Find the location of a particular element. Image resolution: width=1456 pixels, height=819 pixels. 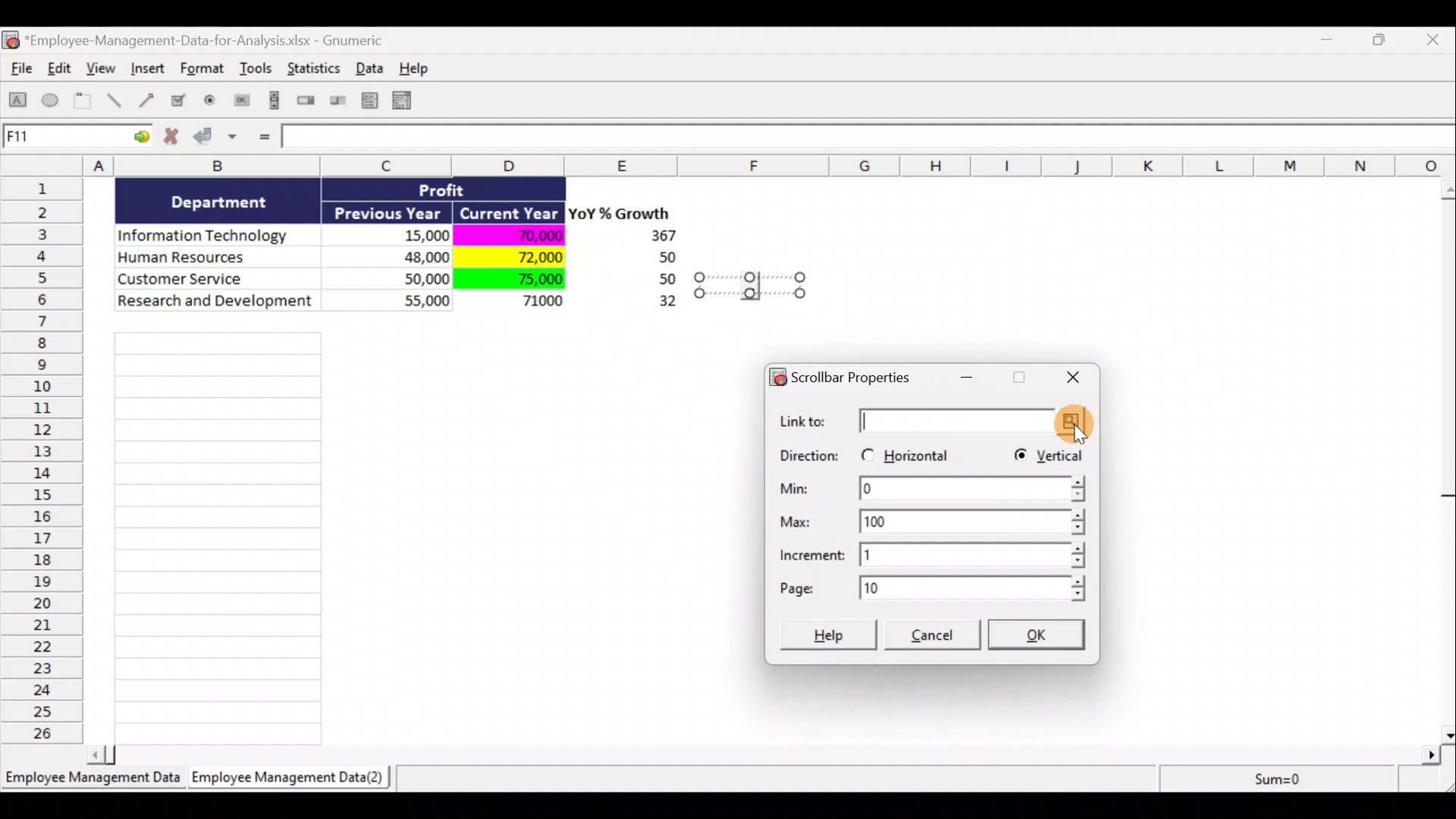

Scrollbar properties is located at coordinates (848, 375).